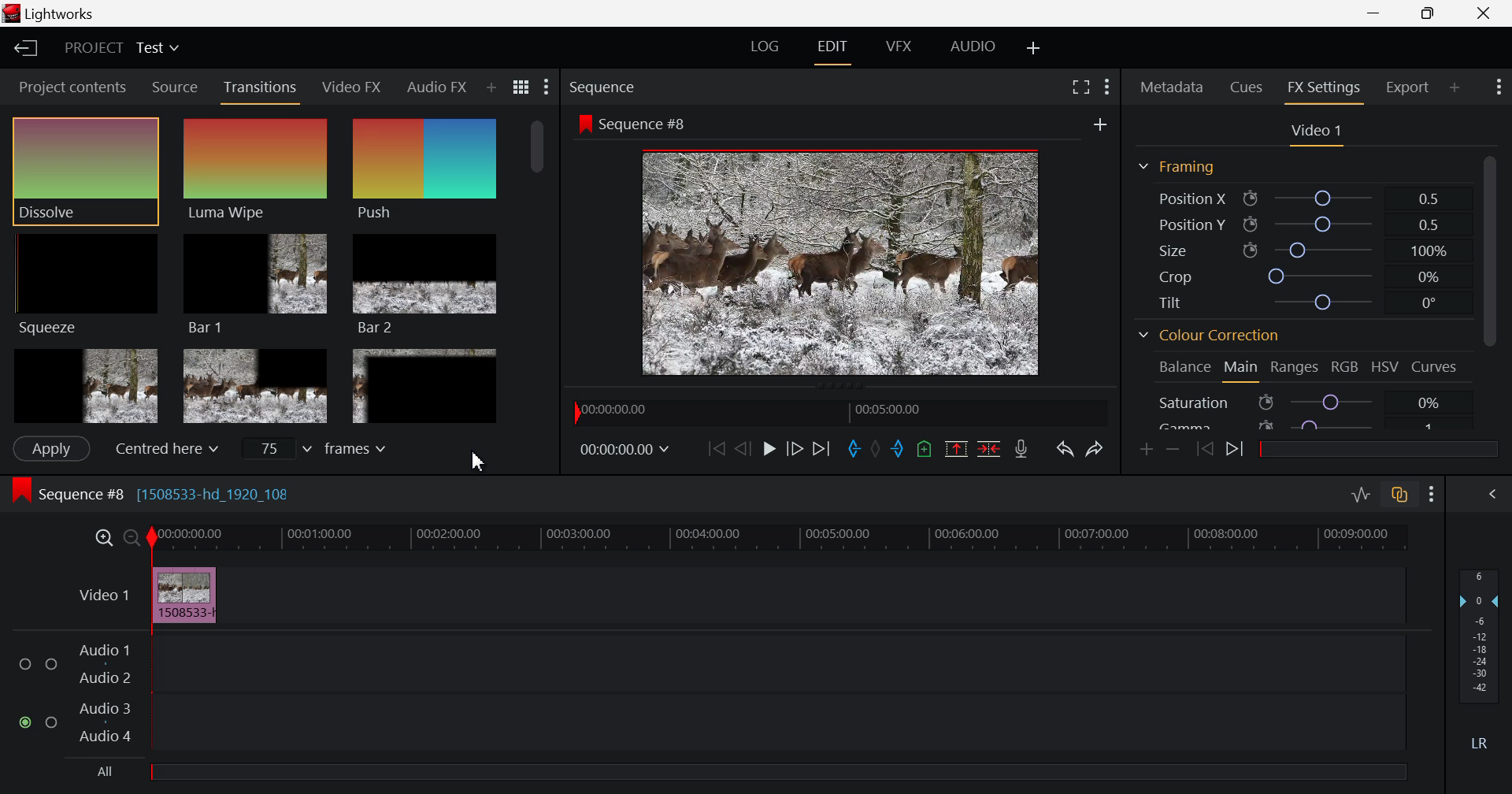 This screenshot has height=794, width=1512. What do you see at coordinates (1494, 287) in the screenshot?
I see `Scroll Bar` at bounding box center [1494, 287].